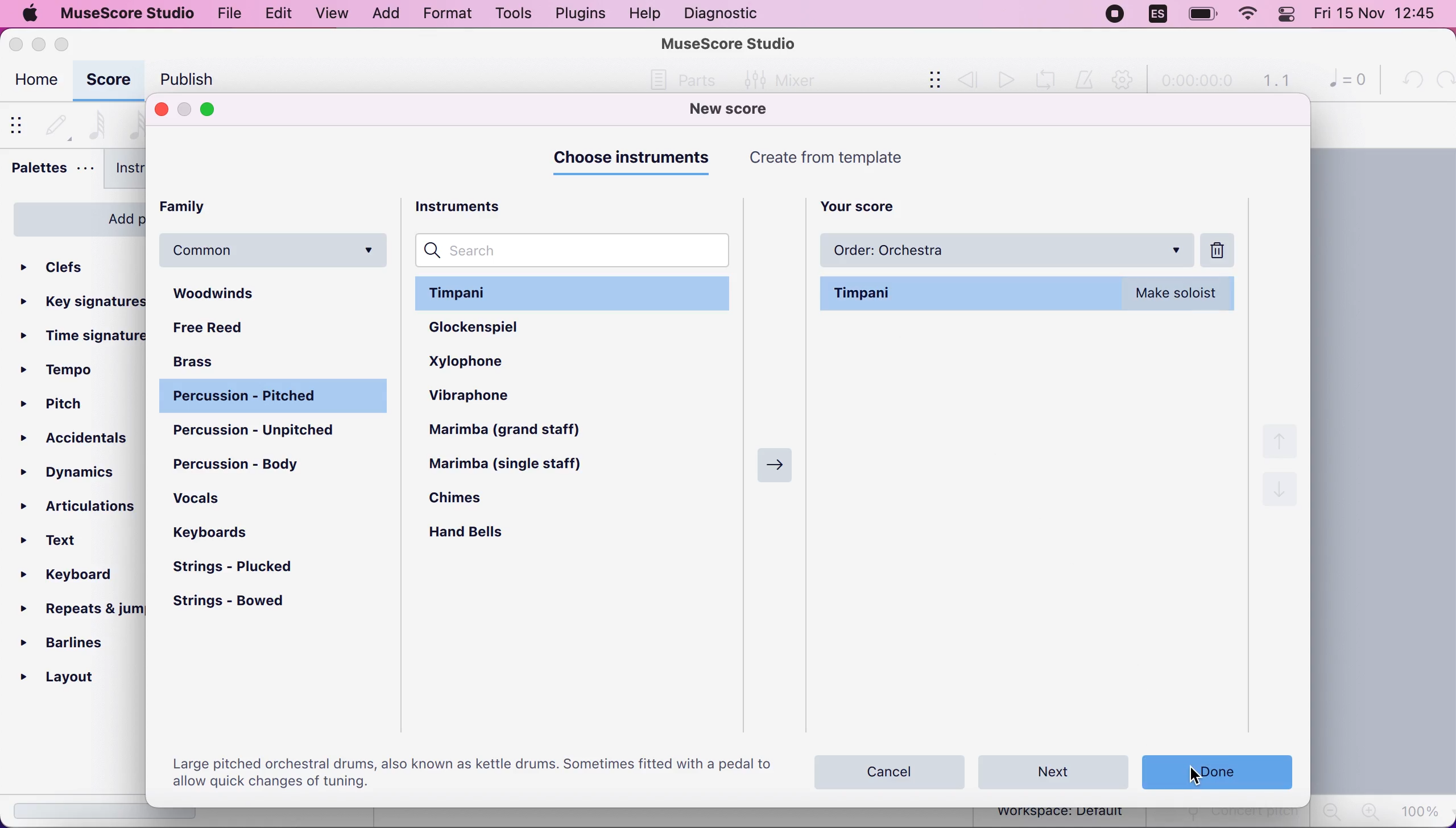  I want to click on order: orchestra, so click(1004, 251).